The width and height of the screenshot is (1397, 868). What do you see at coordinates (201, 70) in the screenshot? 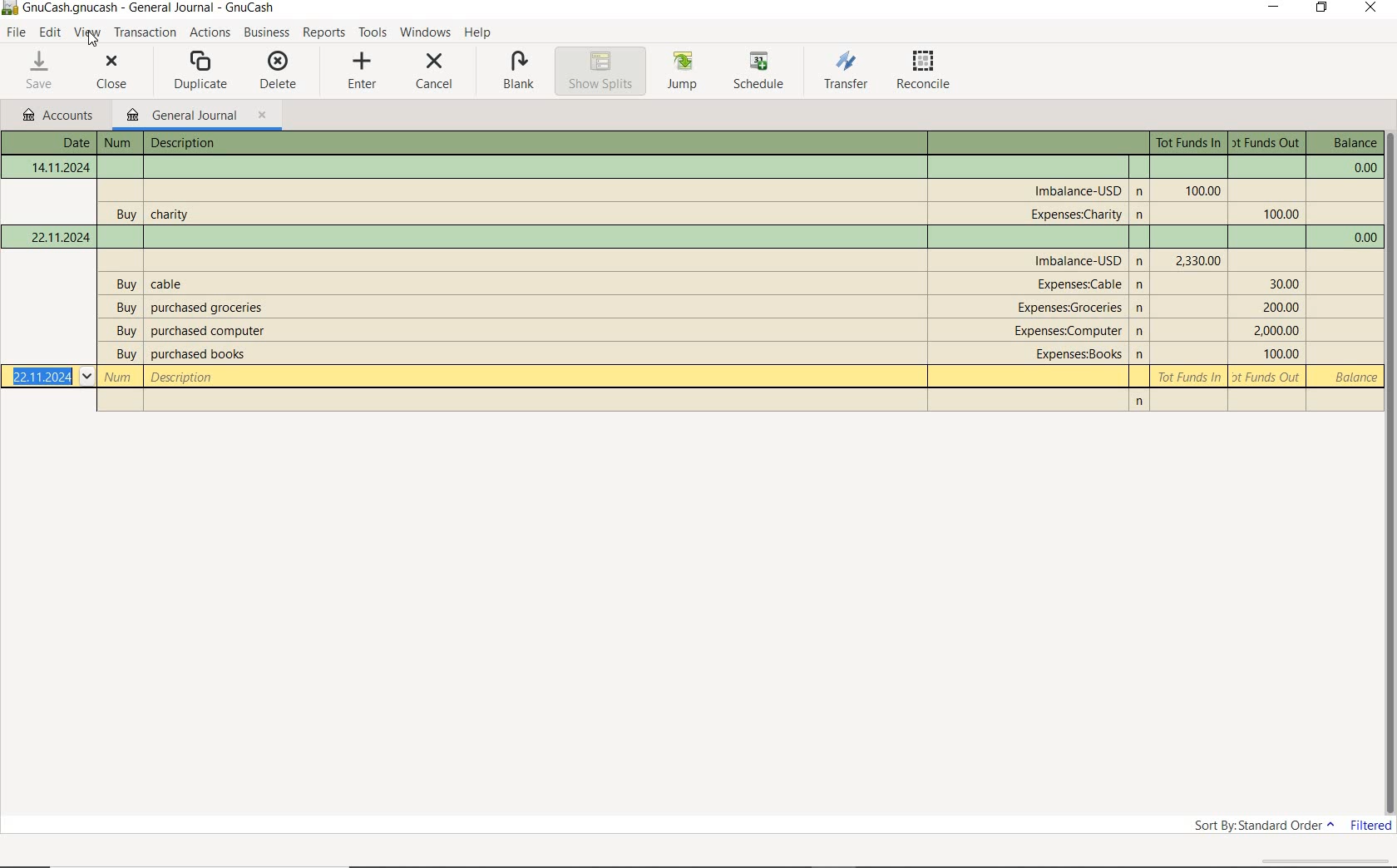
I see `DUPLICATE` at bounding box center [201, 70].